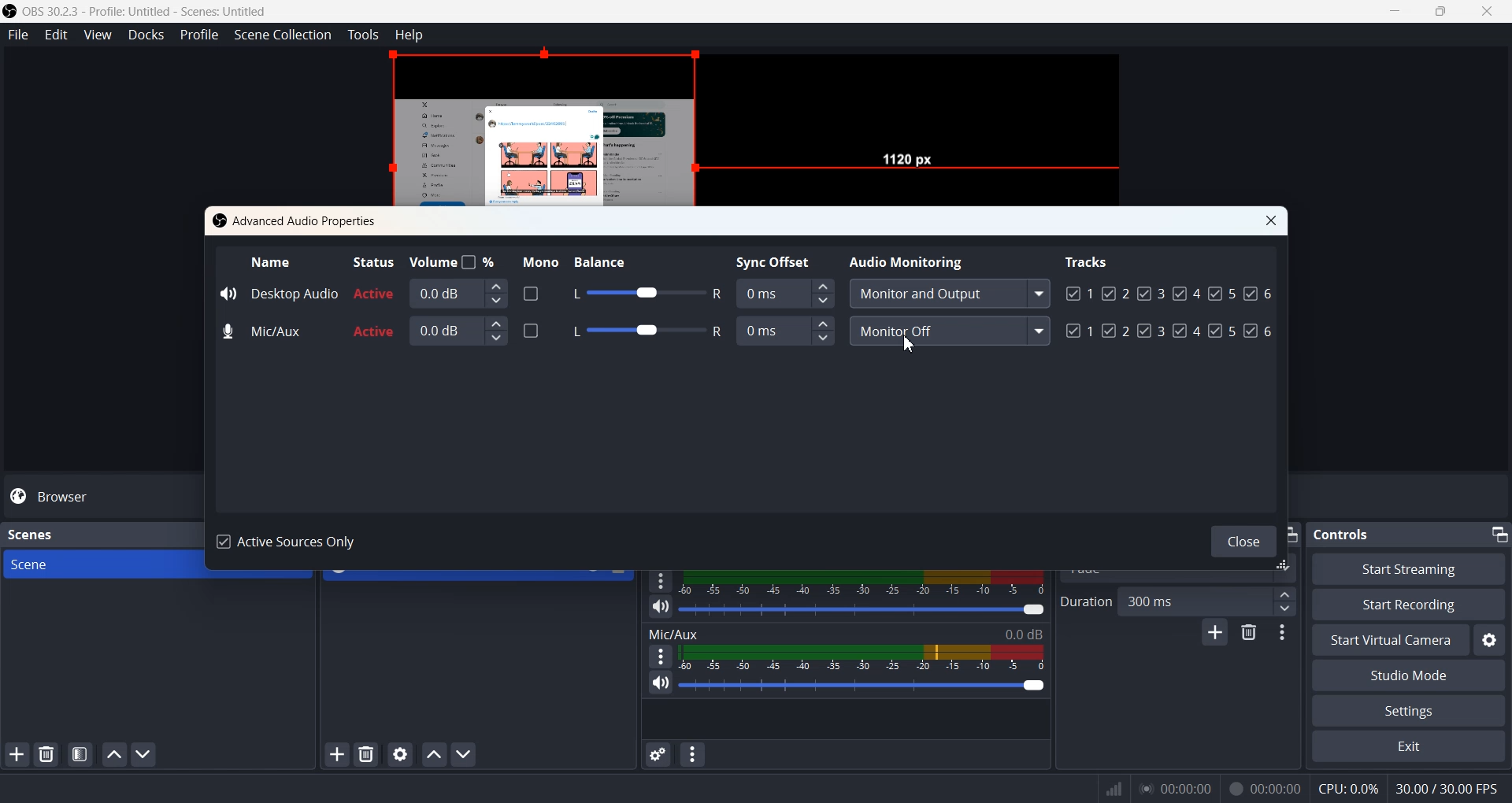 Image resolution: width=1512 pixels, height=803 pixels. What do you see at coordinates (644, 294) in the screenshot?
I see `Balance adjuster` at bounding box center [644, 294].